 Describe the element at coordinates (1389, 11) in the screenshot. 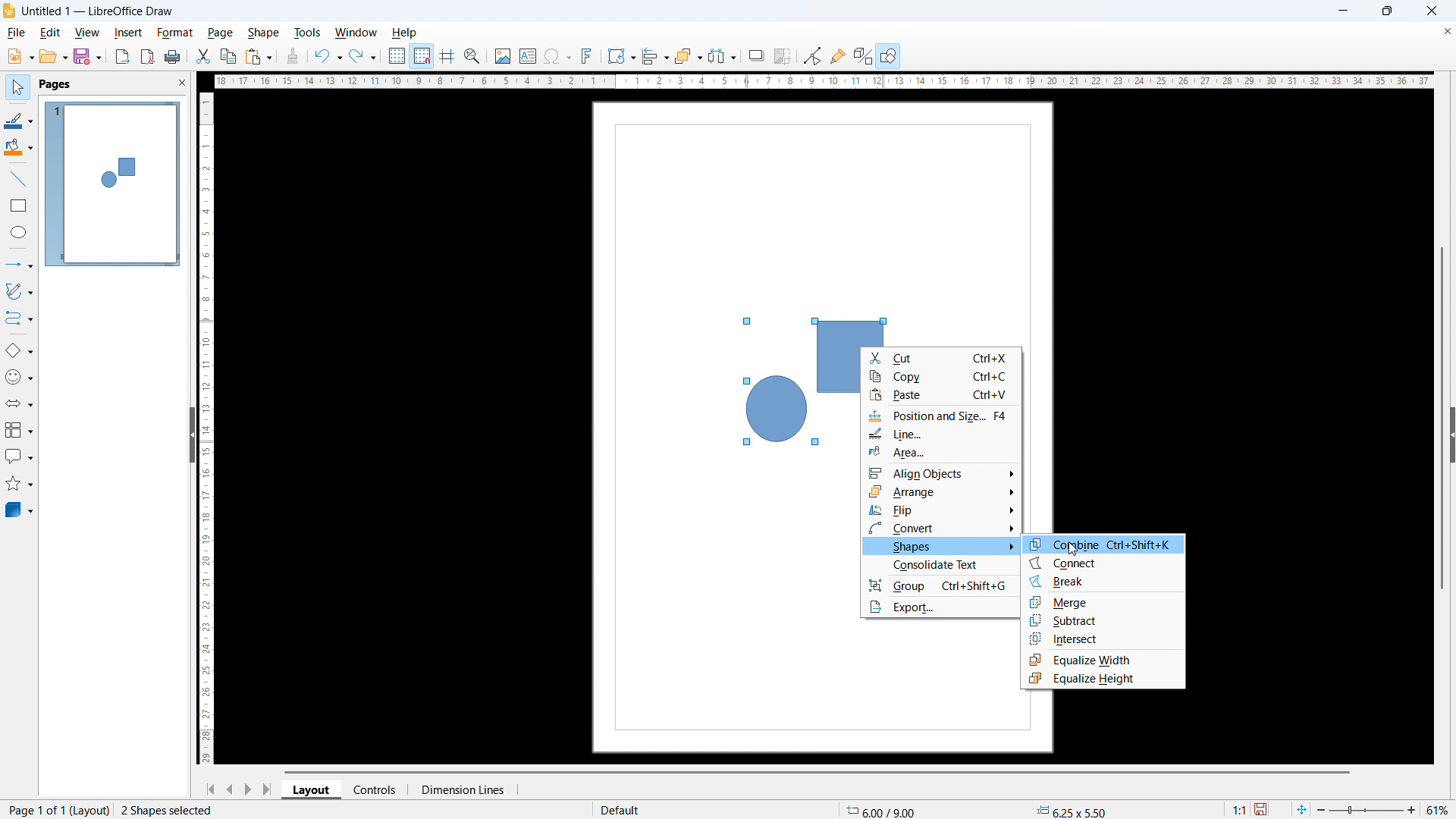

I see `maximize` at that location.